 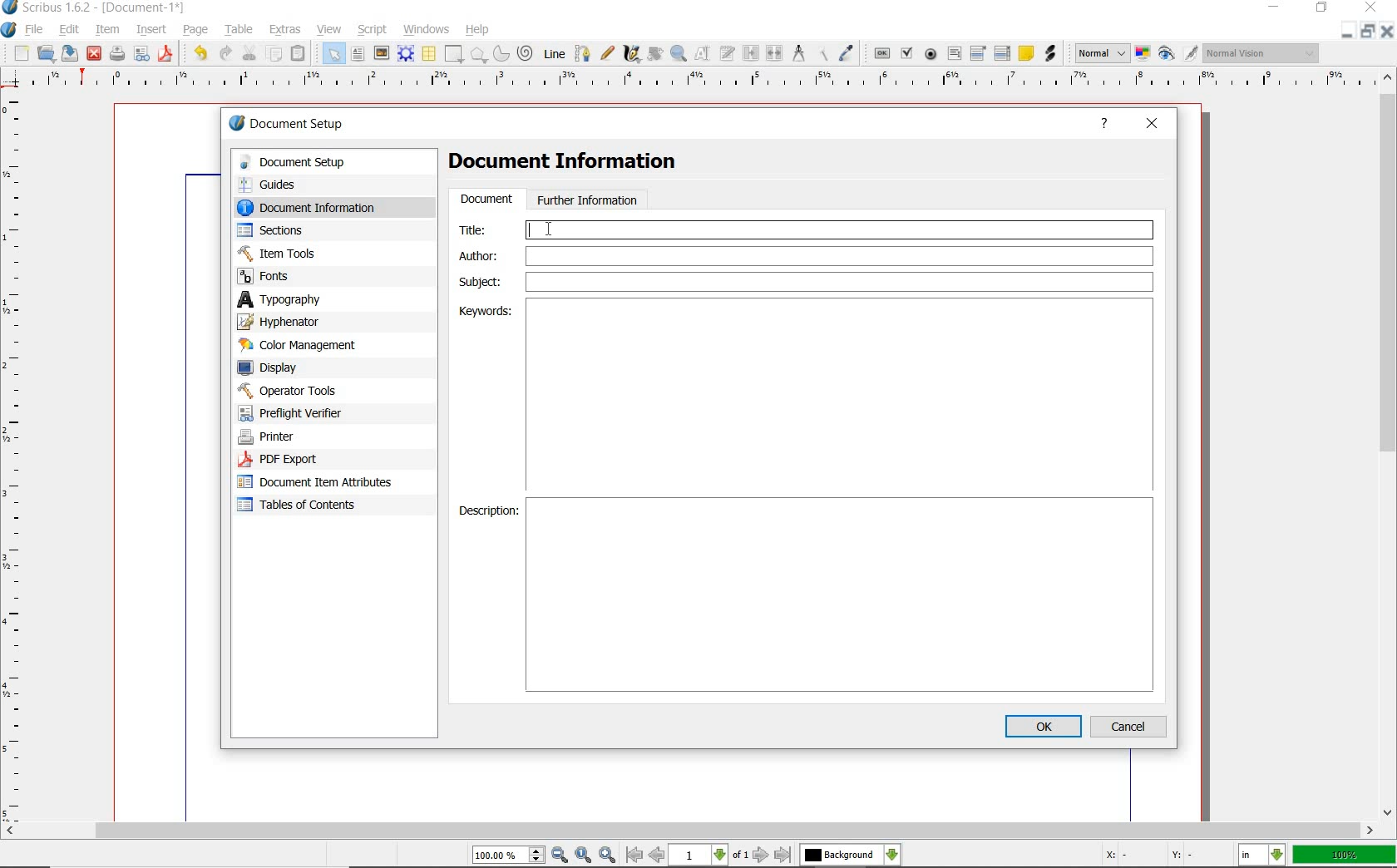 I want to click on zoom in/zoom to/zoom out, so click(x=546, y=855).